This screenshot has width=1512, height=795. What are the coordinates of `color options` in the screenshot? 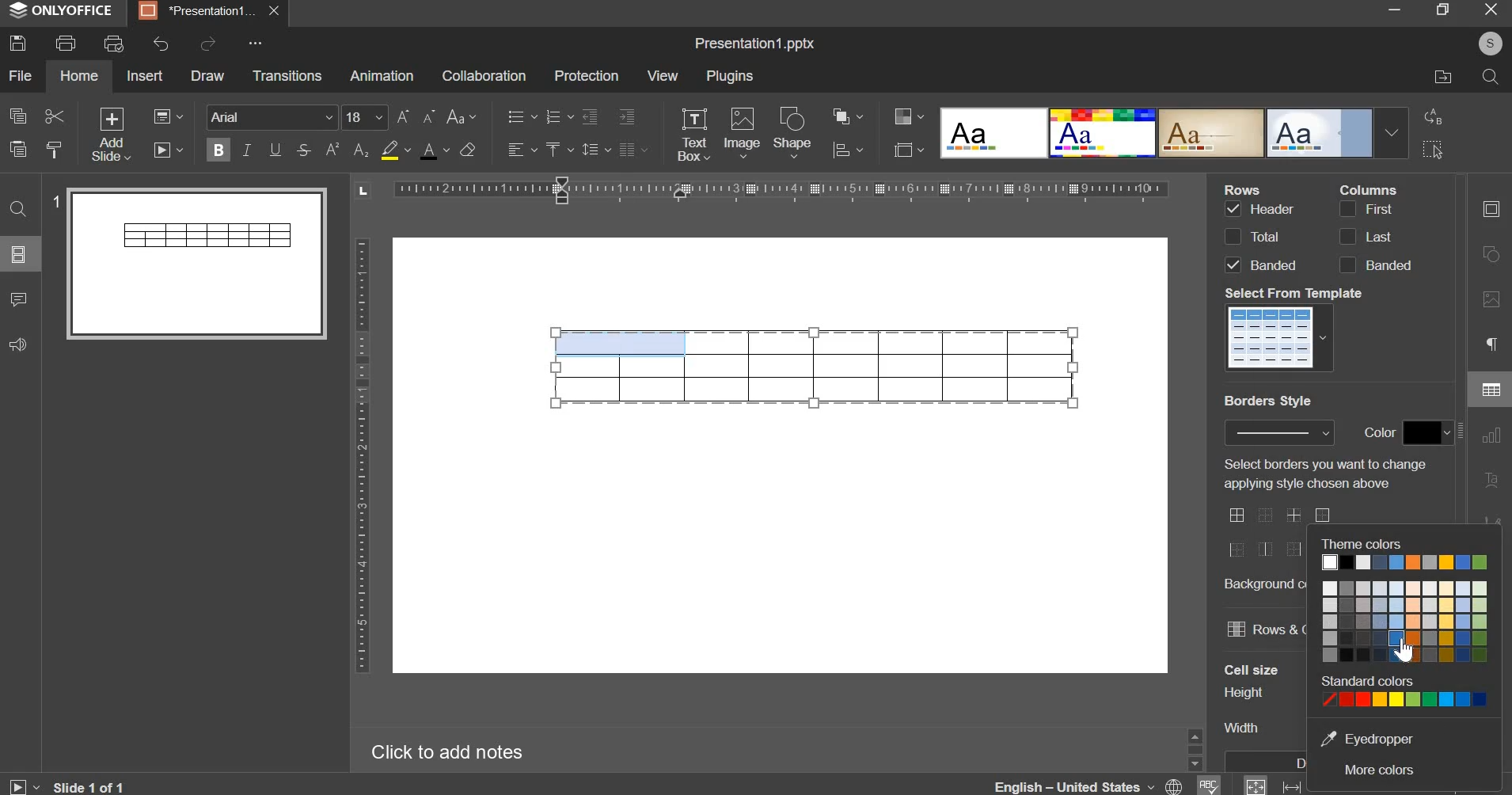 It's located at (1404, 591).